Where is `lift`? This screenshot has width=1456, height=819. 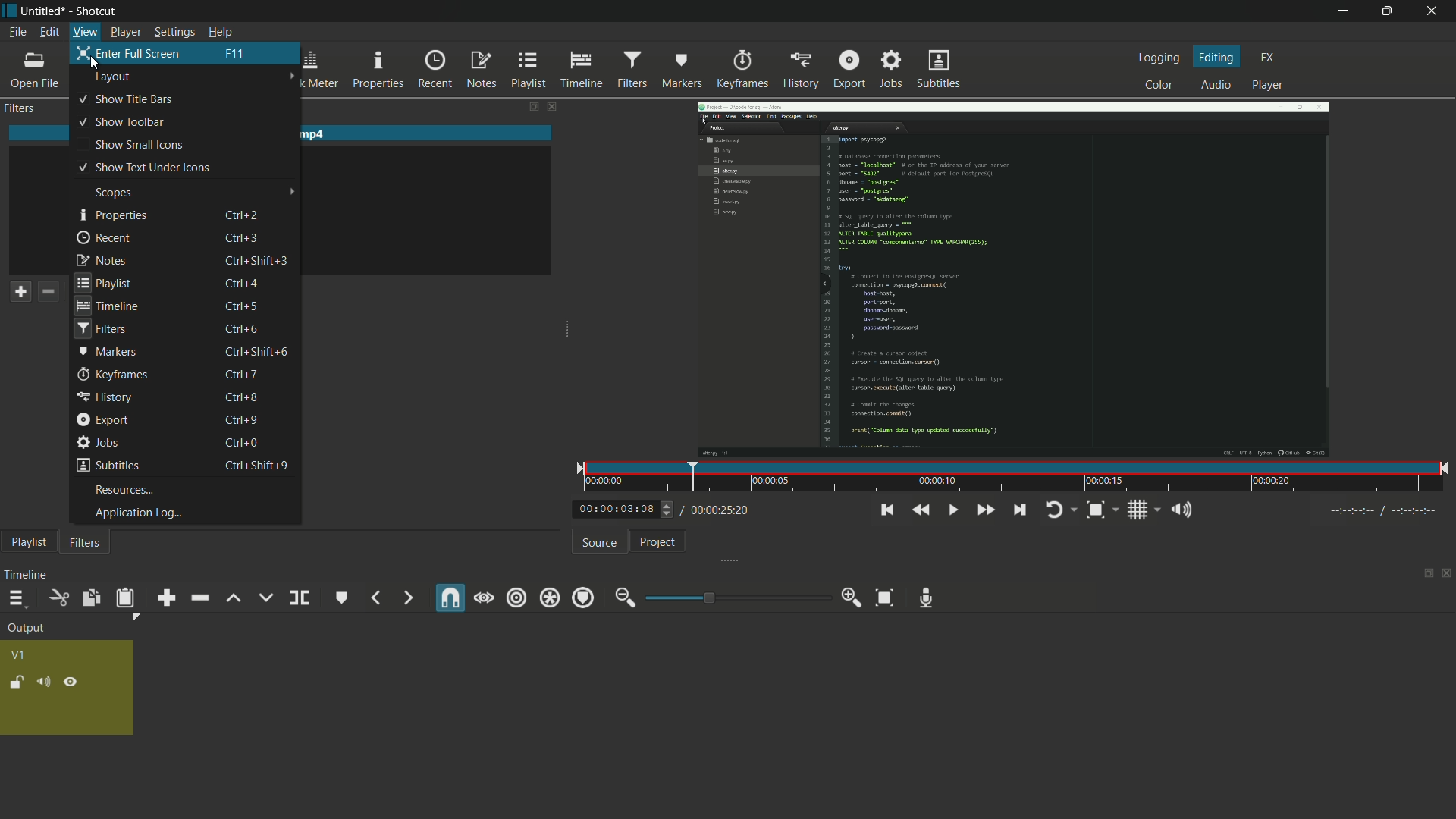 lift is located at coordinates (232, 598).